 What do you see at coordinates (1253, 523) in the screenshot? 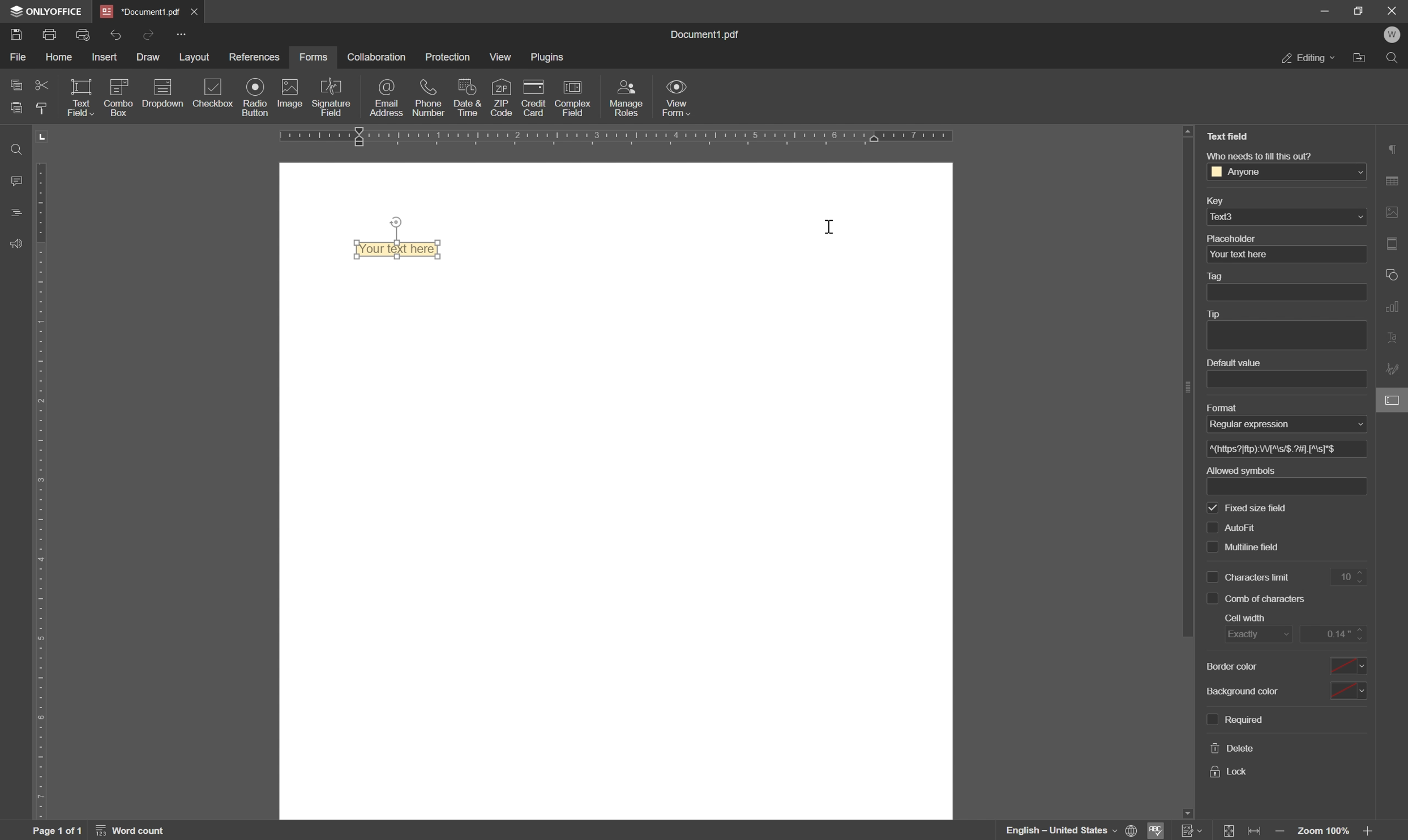
I see `multiline field` at bounding box center [1253, 523].